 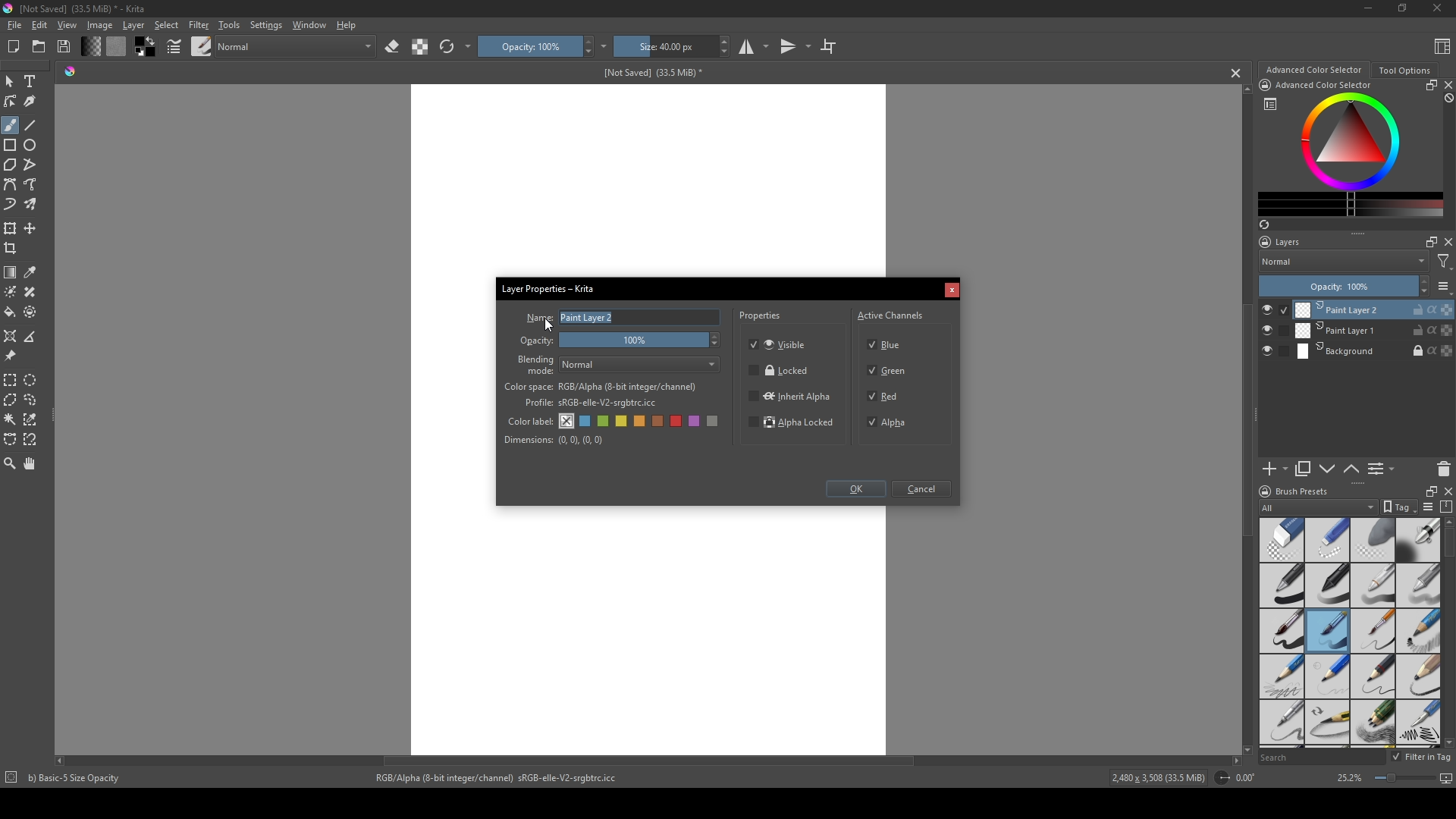 I want to click on zoom, so click(x=10, y=463).